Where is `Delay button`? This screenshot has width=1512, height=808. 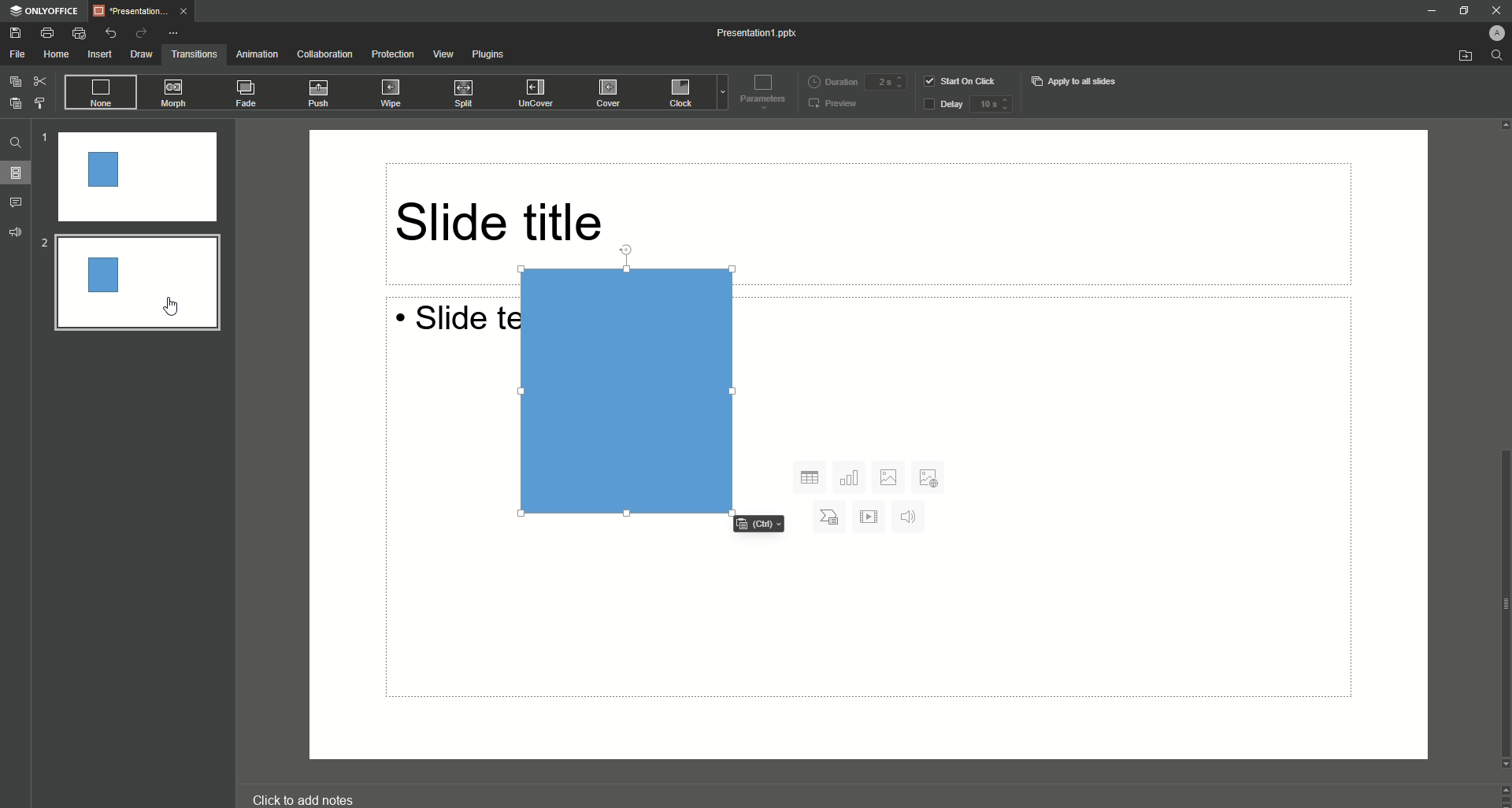
Delay button is located at coordinates (940, 106).